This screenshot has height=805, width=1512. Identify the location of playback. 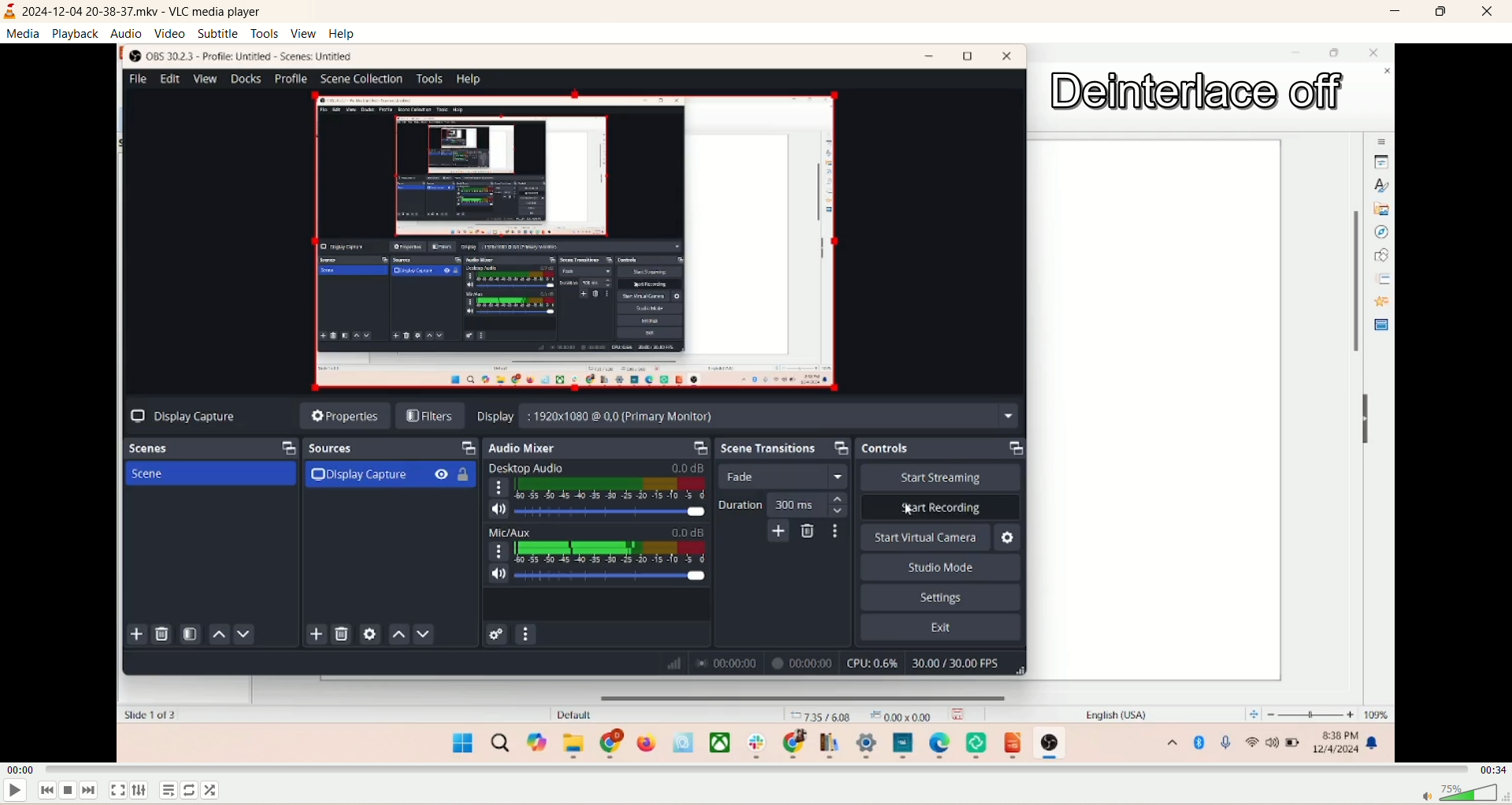
(76, 33).